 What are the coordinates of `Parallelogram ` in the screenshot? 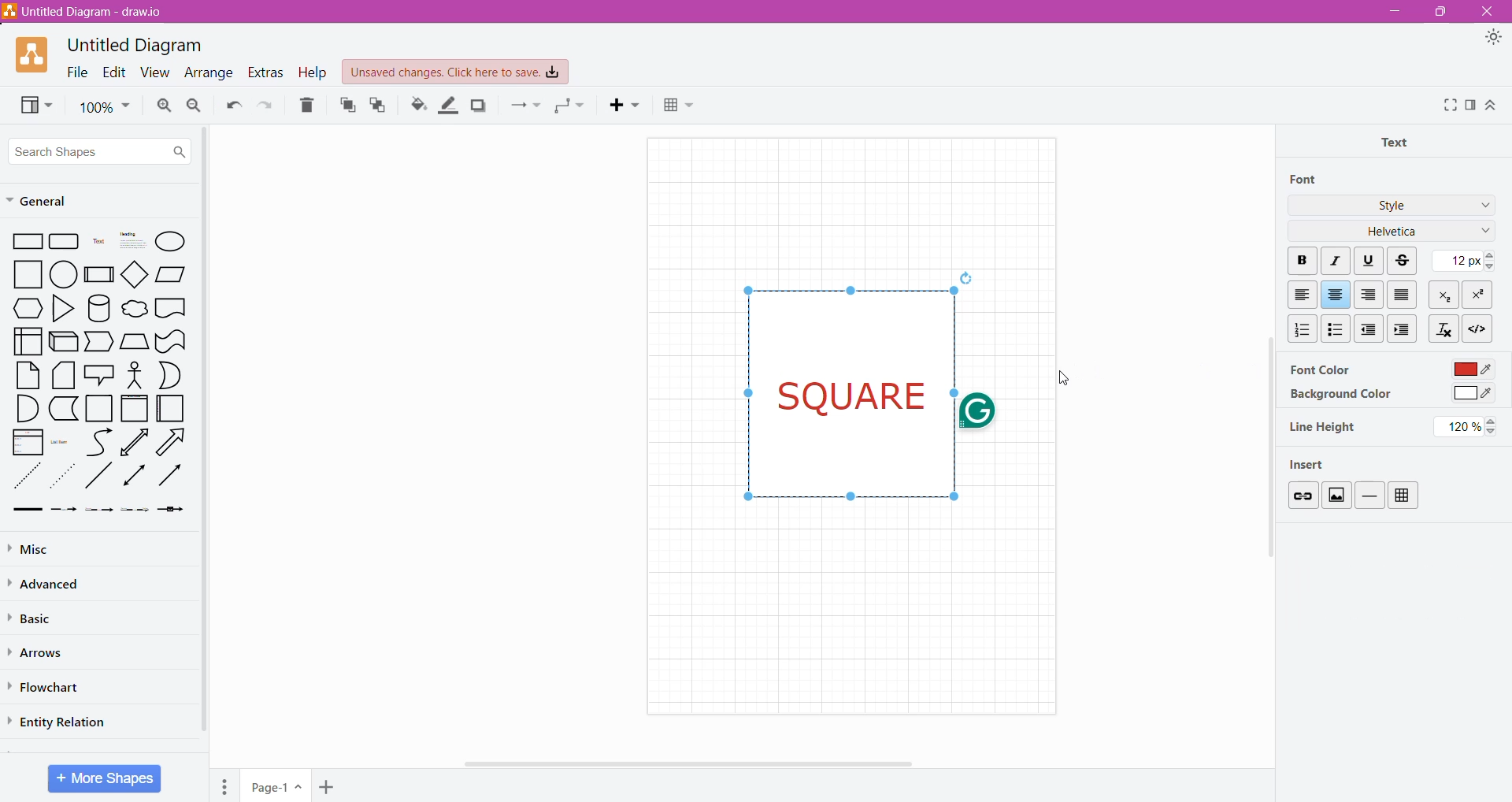 It's located at (171, 273).